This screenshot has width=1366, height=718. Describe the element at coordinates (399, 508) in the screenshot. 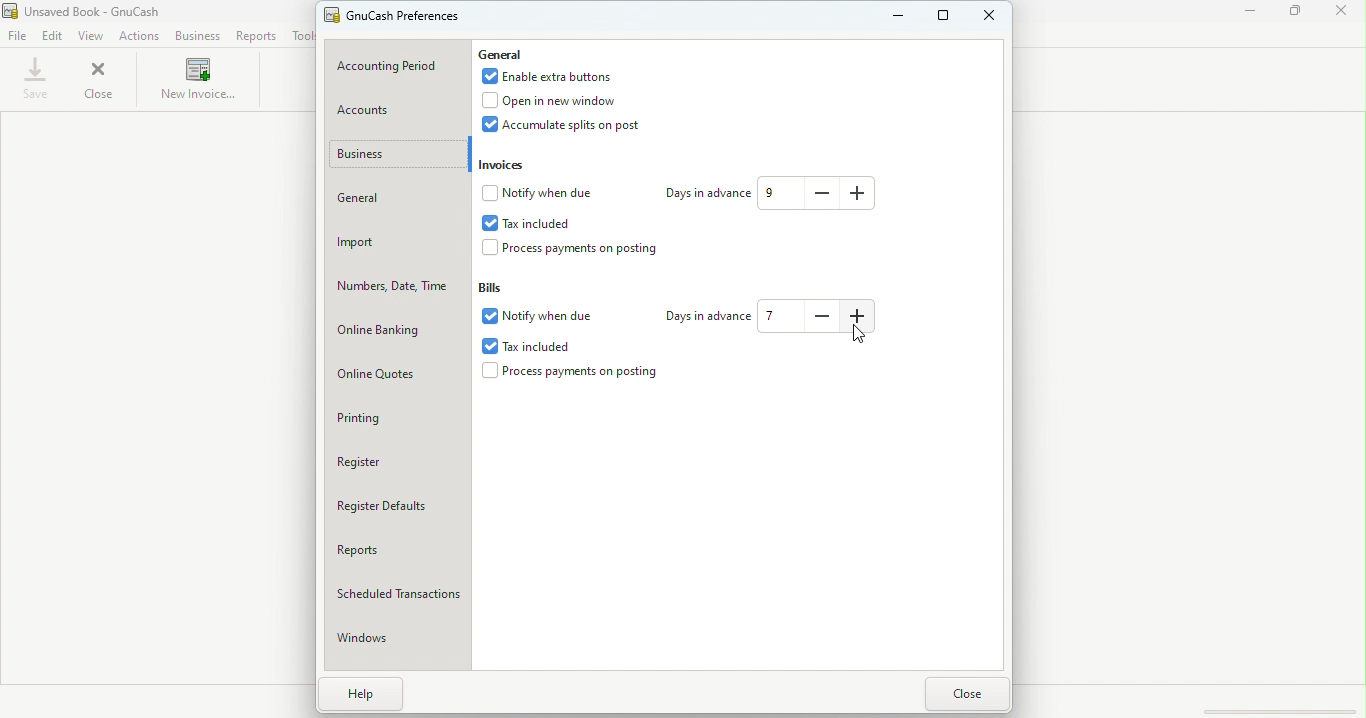

I see `Register defaults` at that location.